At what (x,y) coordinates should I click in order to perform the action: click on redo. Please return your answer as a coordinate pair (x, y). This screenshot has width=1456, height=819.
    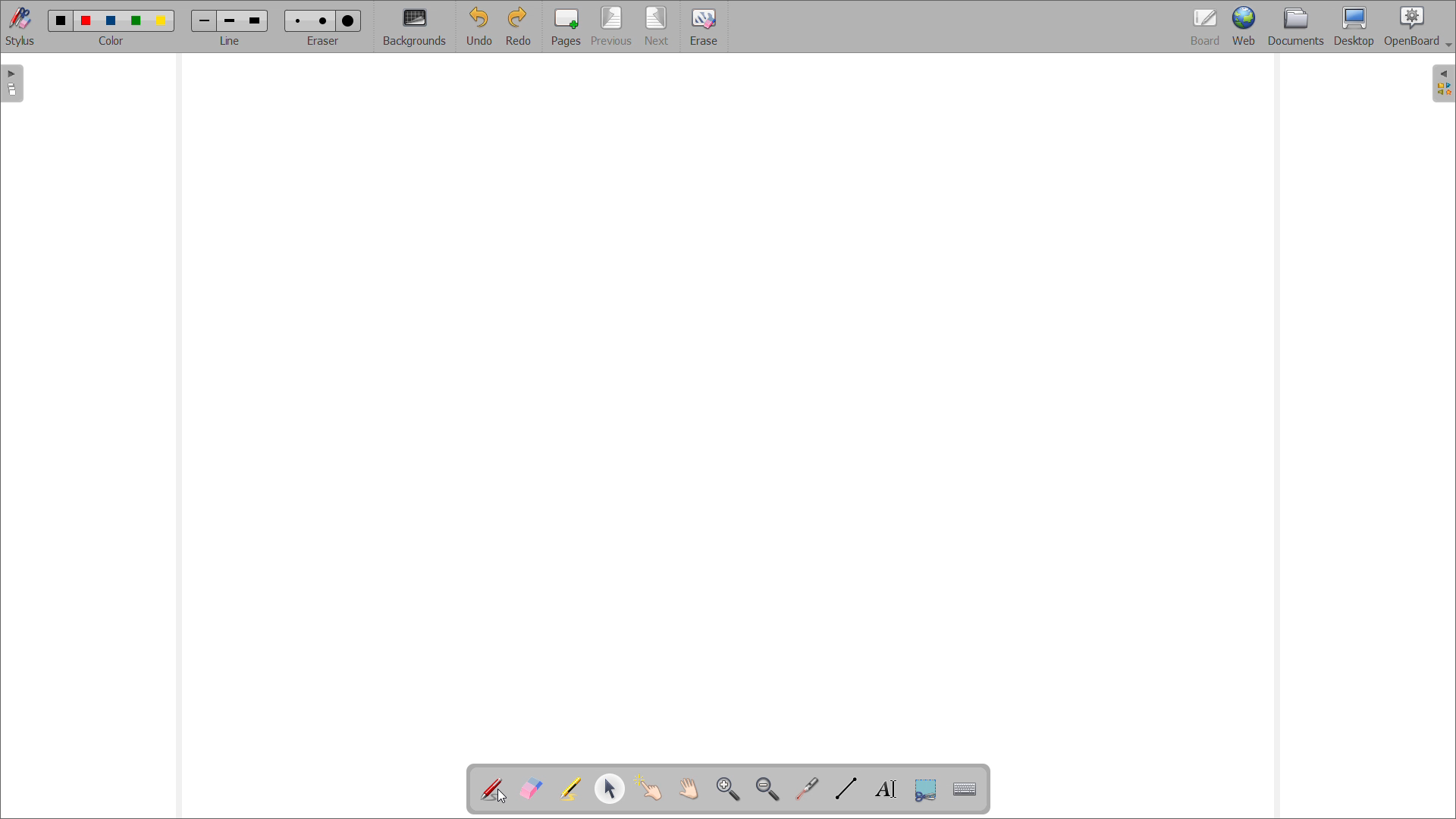
    Looking at the image, I should click on (519, 26).